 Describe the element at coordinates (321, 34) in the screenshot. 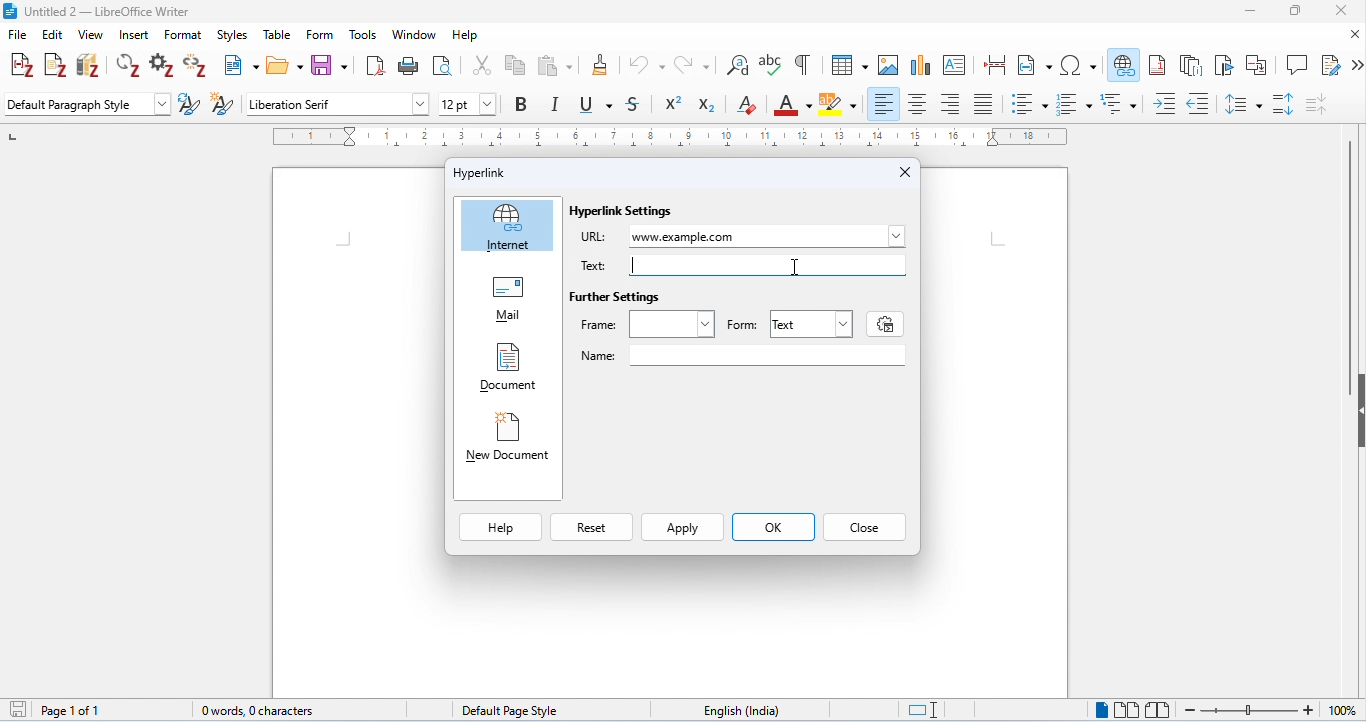

I see `form` at that location.